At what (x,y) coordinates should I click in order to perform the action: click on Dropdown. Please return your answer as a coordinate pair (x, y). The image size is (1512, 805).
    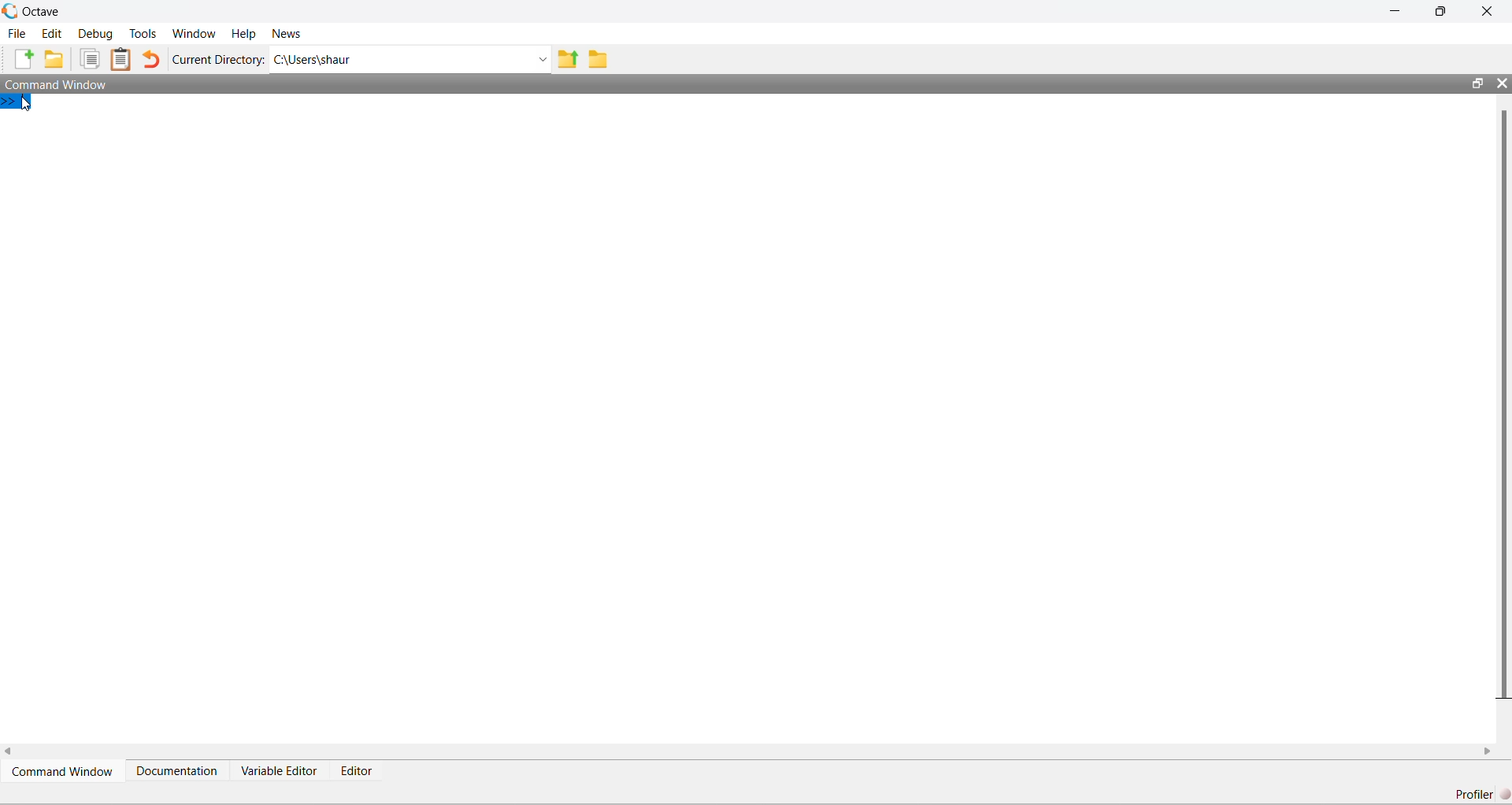
    Looking at the image, I should click on (540, 61).